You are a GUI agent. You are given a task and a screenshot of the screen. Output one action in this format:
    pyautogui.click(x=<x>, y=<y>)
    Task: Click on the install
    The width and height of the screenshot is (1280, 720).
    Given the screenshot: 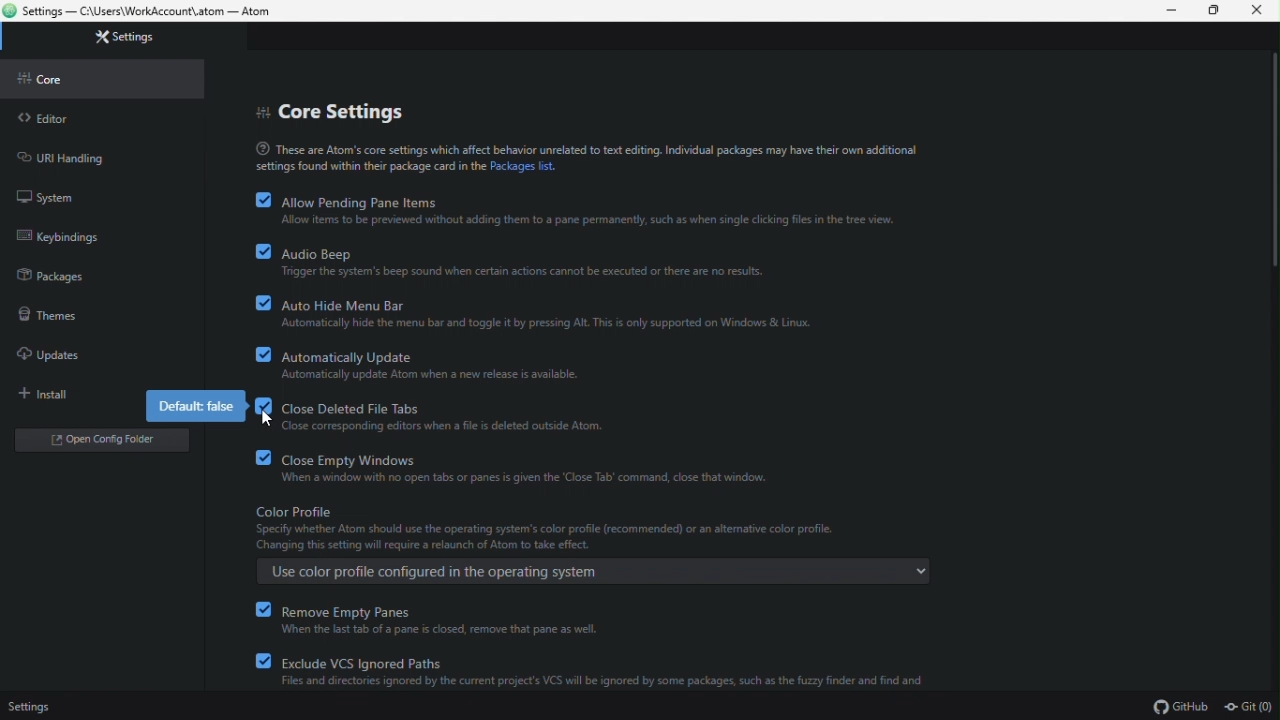 What is the action you would take?
    pyautogui.click(x=50, y=395)
    